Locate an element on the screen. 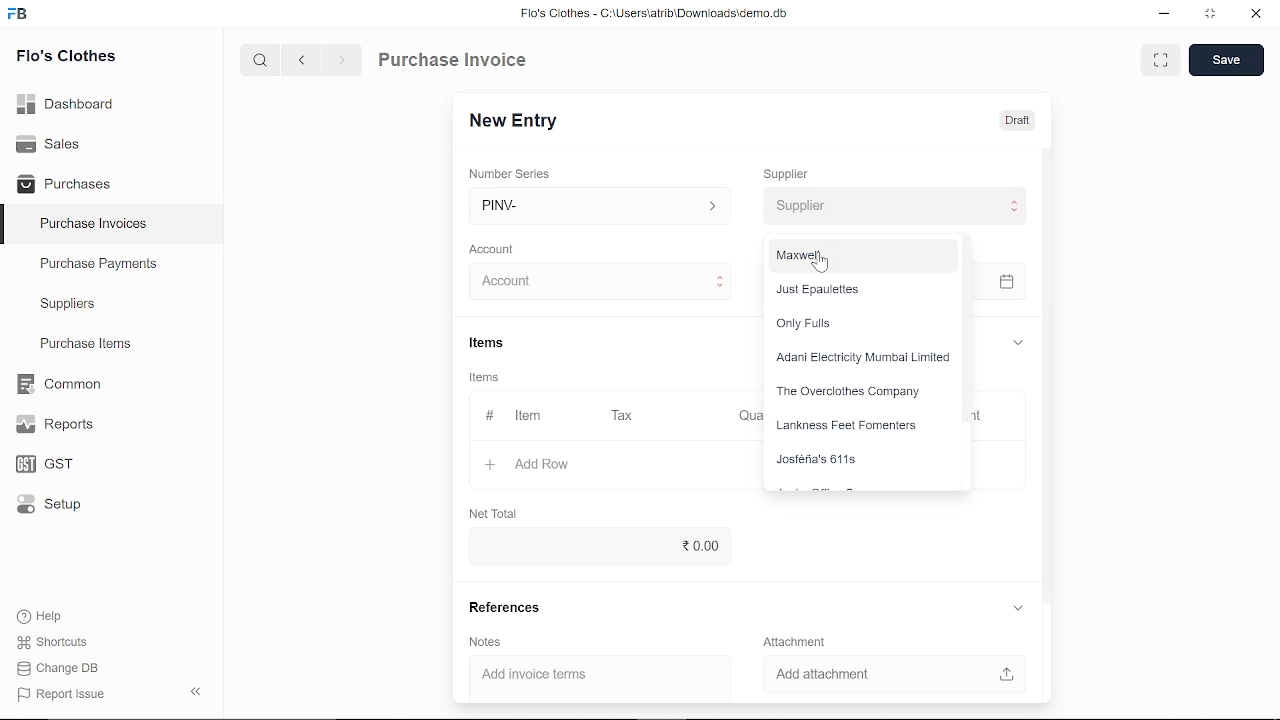 The image size is (1280, 720). Tax is located at coordinates (626, 416).